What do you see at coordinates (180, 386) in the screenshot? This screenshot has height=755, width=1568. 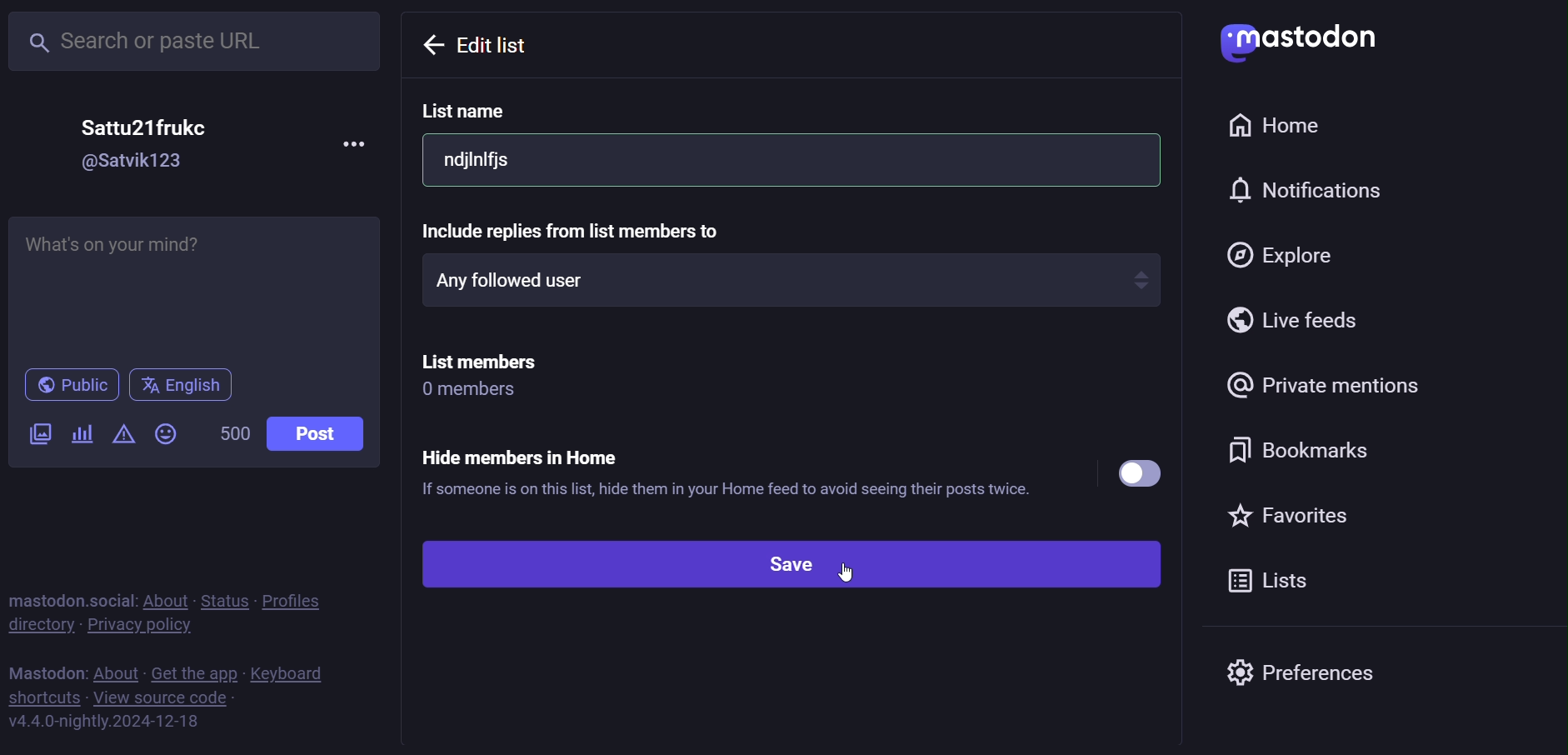 I see `english` at bounding box center [180, 386].